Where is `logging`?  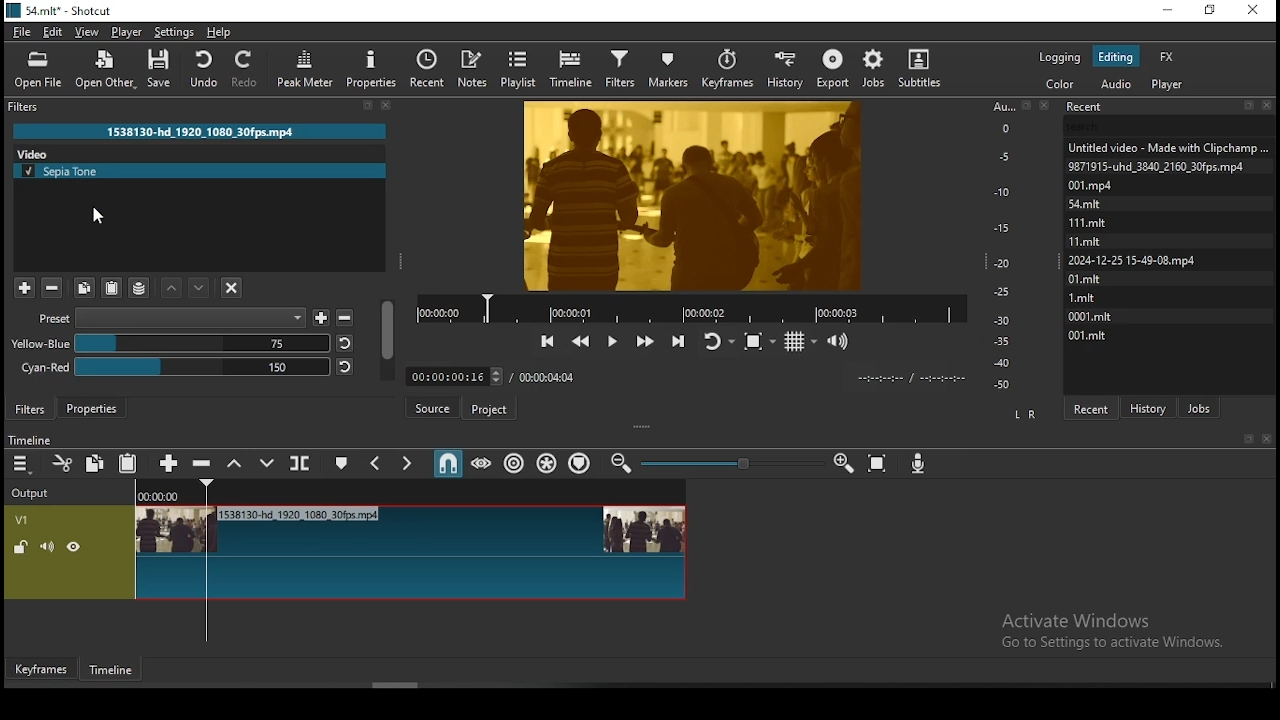 logging is located at coordinates (1061, 57).